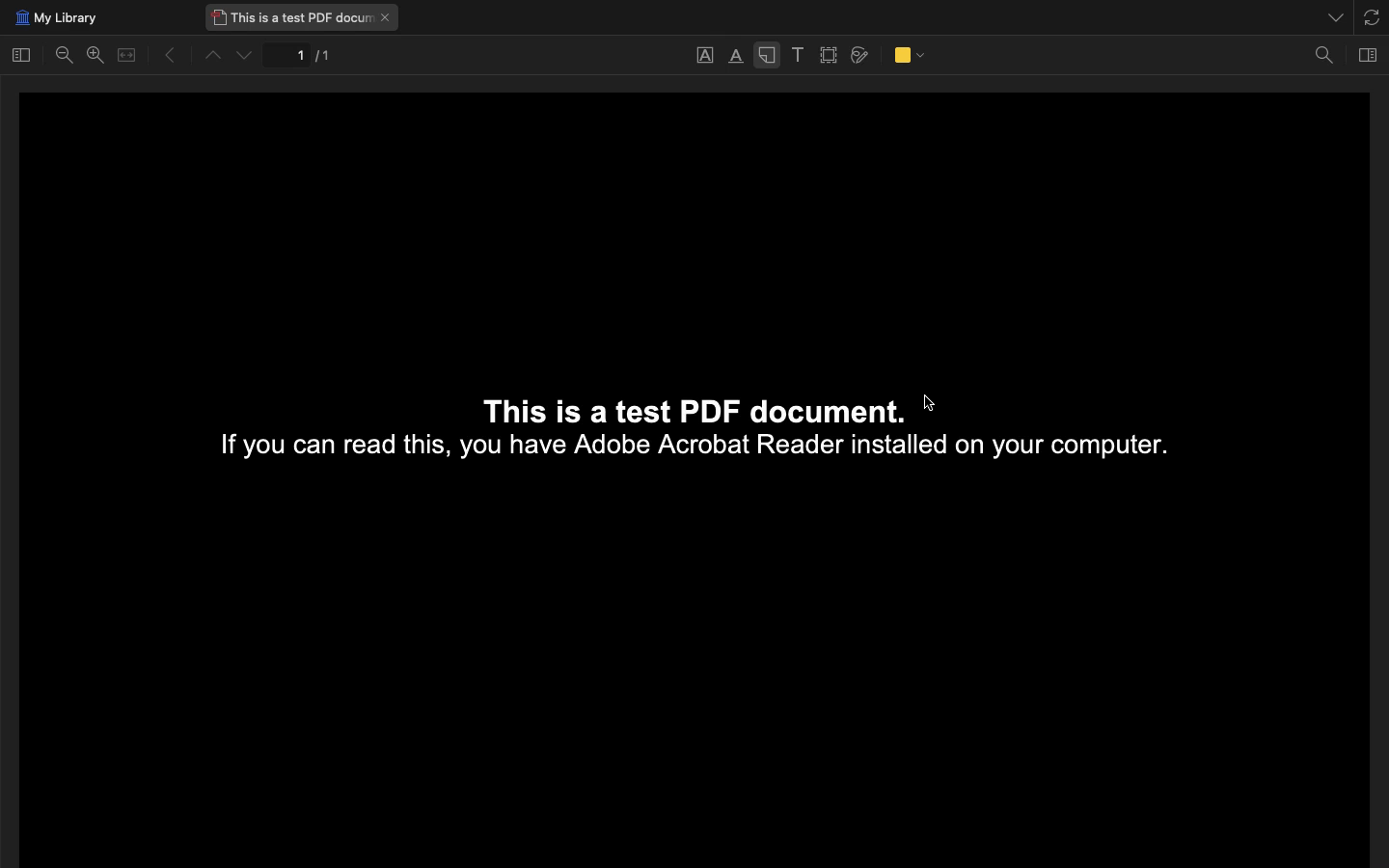 This screenshot has width=1389, height=868. I want to click on Toggle context pane, so click(1370, 53).